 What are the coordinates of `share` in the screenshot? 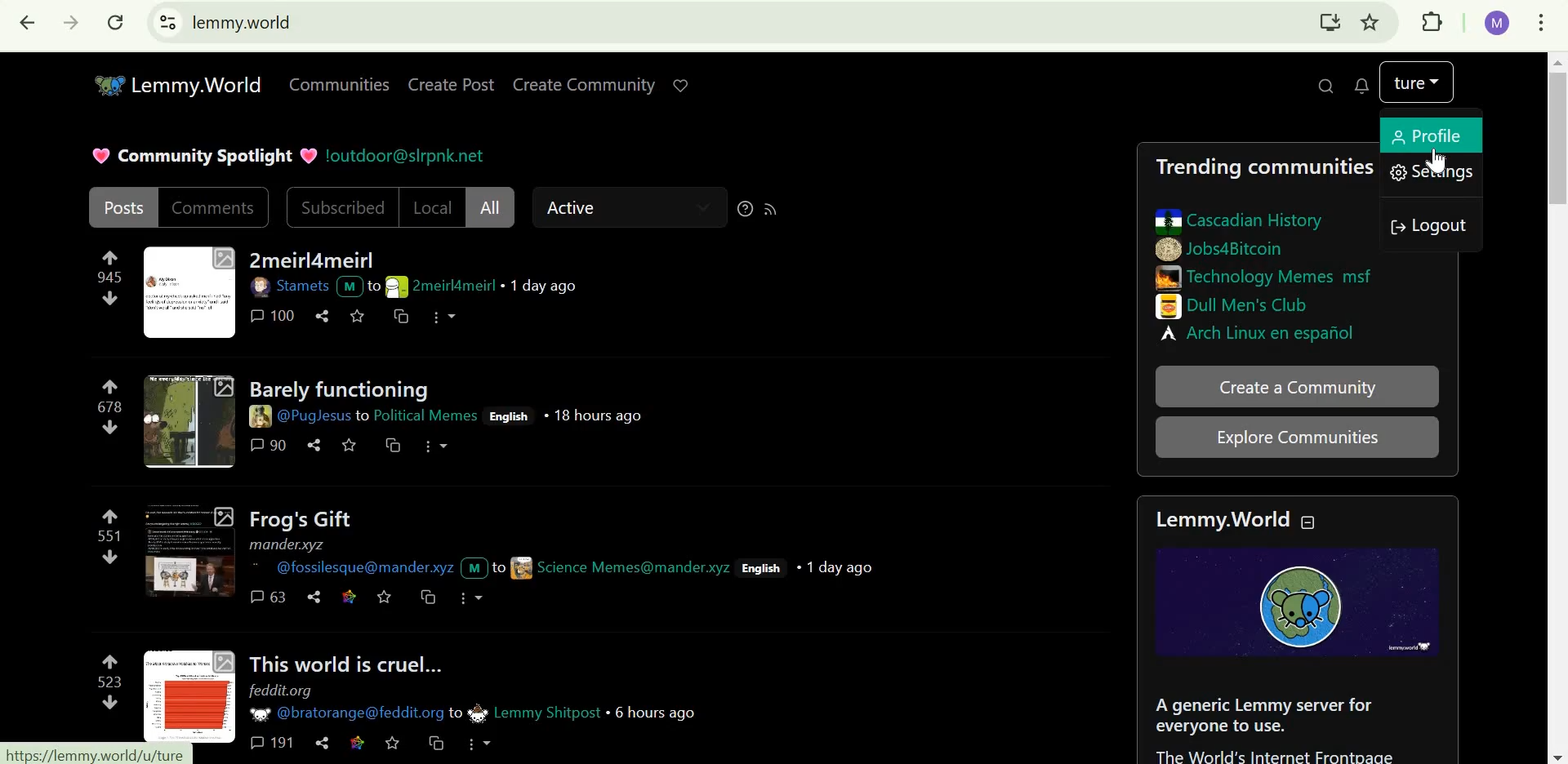 It's located at (323, 742).